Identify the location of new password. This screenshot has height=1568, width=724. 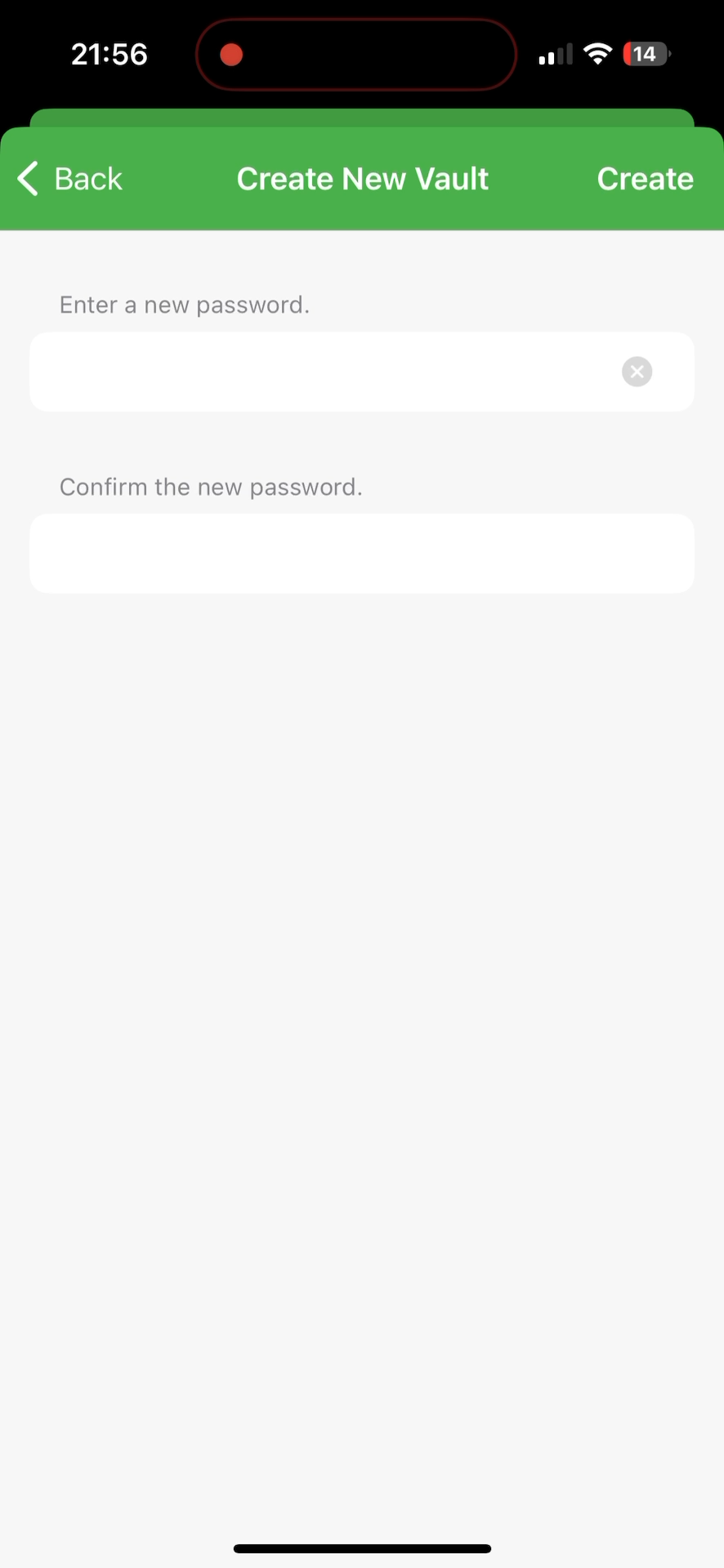
(362, 564).